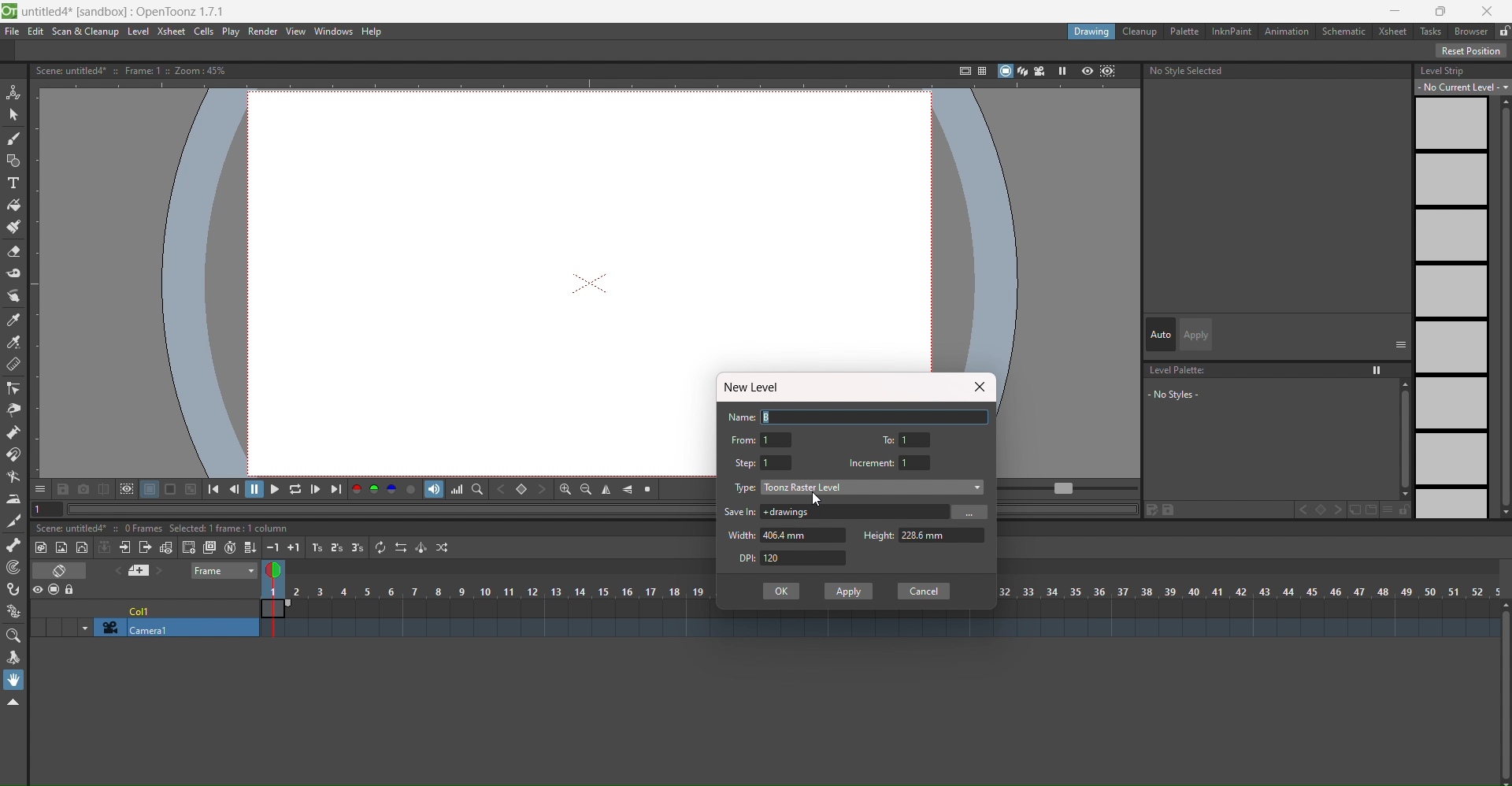 The height and width of the screenshot is (786, 1512). What do you see at coordinates (14, 273) in the screenshot?
I see `tape tool` at bounding box center [14, 273].